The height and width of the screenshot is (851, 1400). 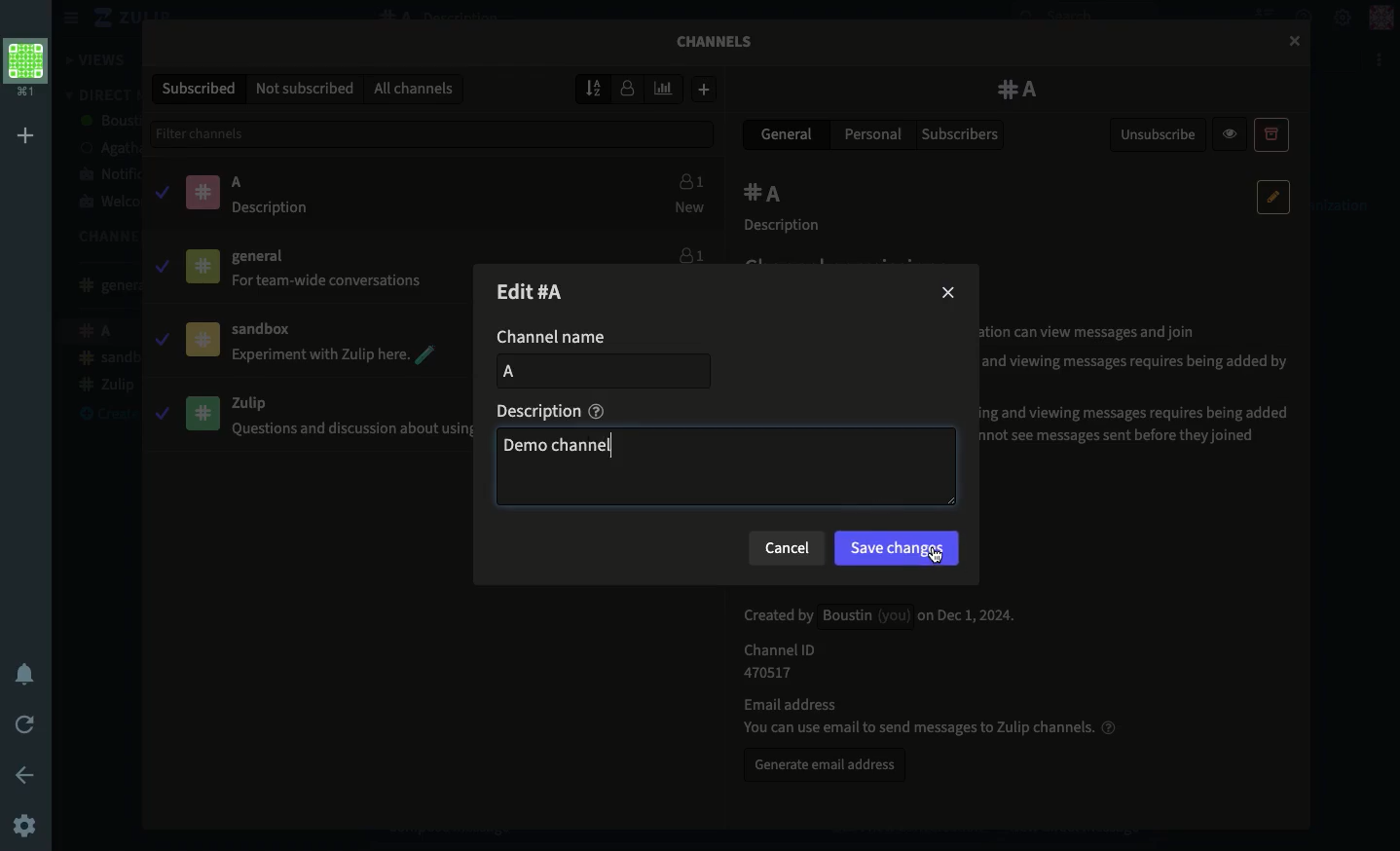 What do you see at coordinates (935, 553) in the screenshot?
I see `cursor` at bounding box center [935, 553].